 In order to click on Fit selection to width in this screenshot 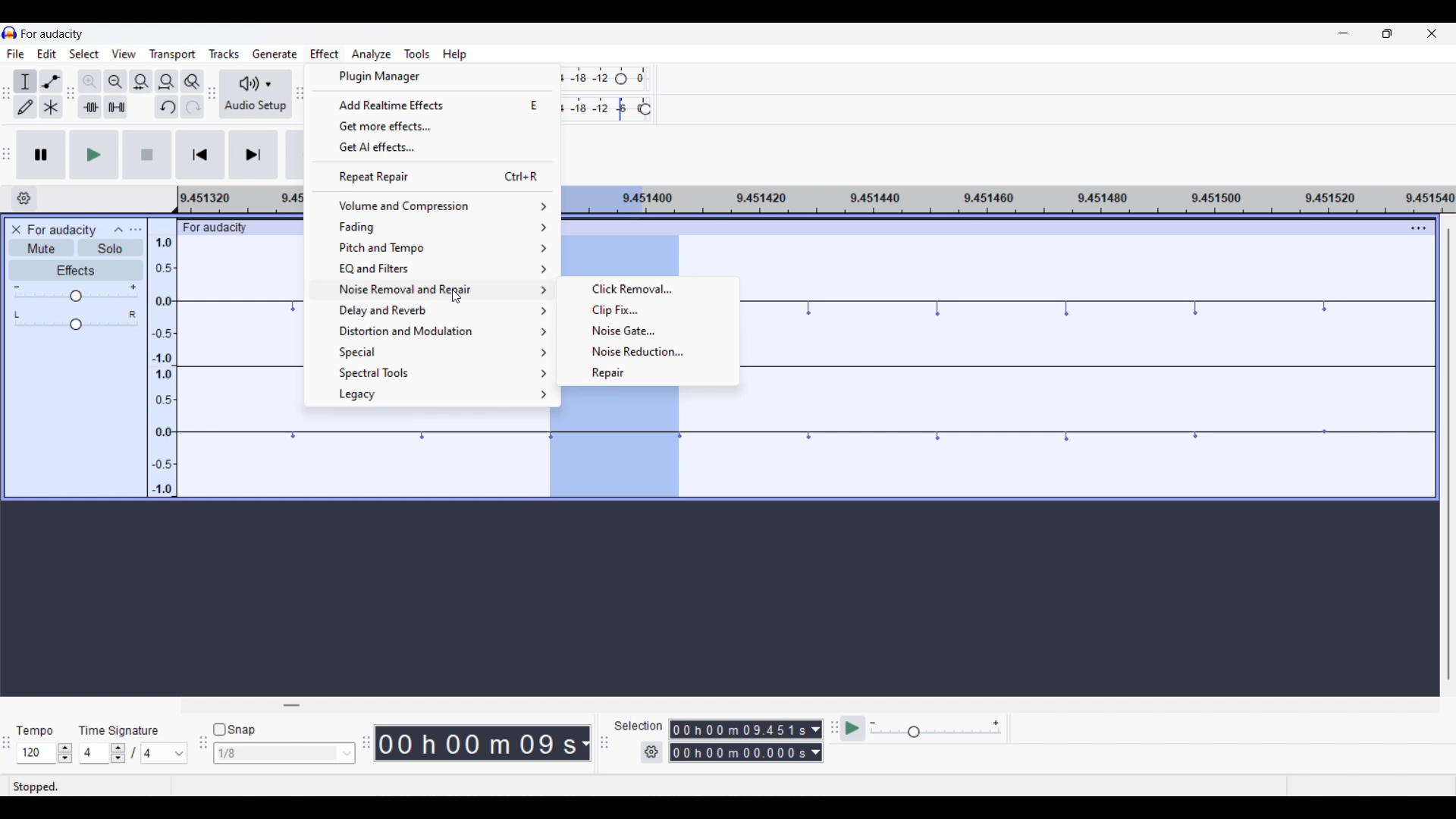, I will do `click(142, 81)`.